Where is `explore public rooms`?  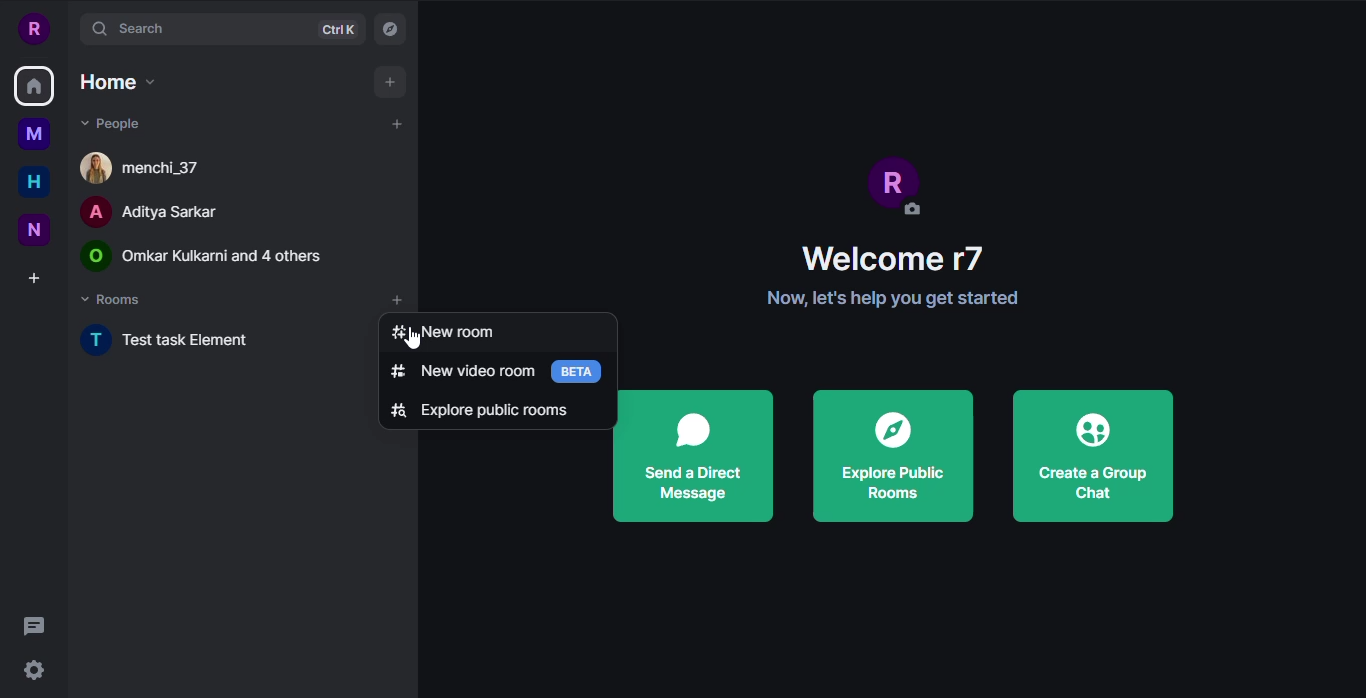 explore public rooms is located at coordinates (479, 410).